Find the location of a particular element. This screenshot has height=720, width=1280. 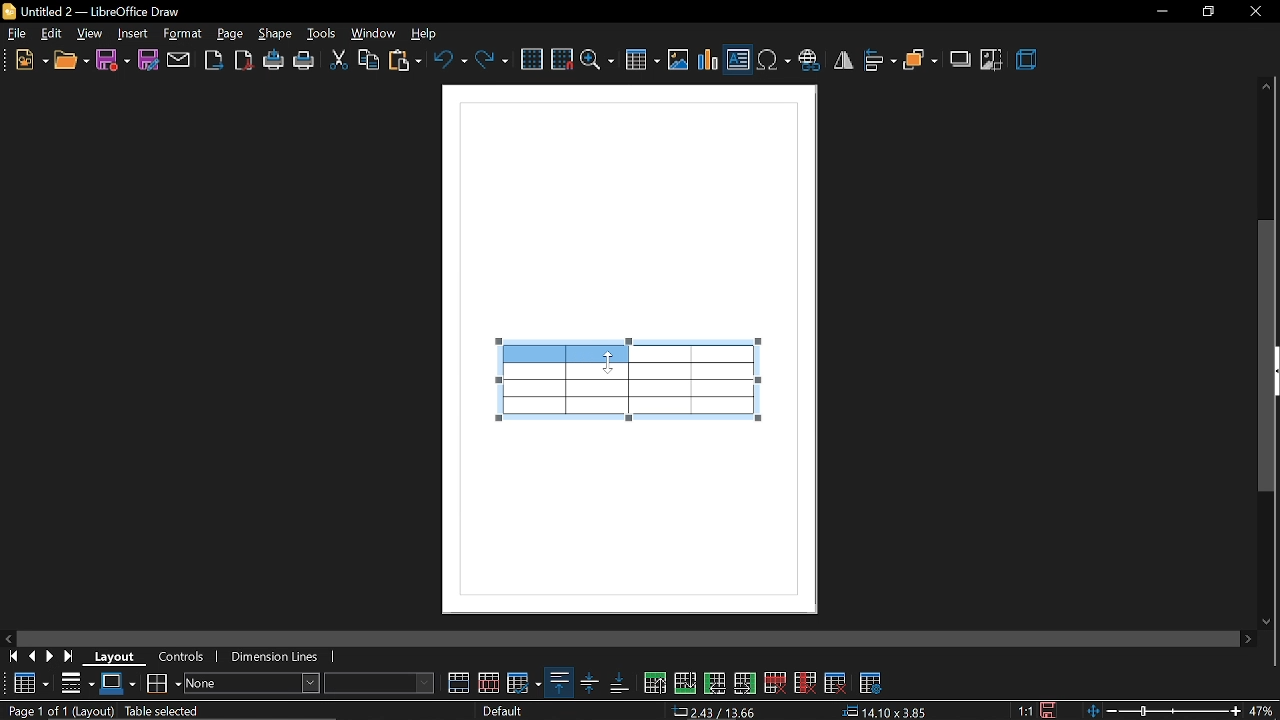

move right is located at coordinates (1250, 638).